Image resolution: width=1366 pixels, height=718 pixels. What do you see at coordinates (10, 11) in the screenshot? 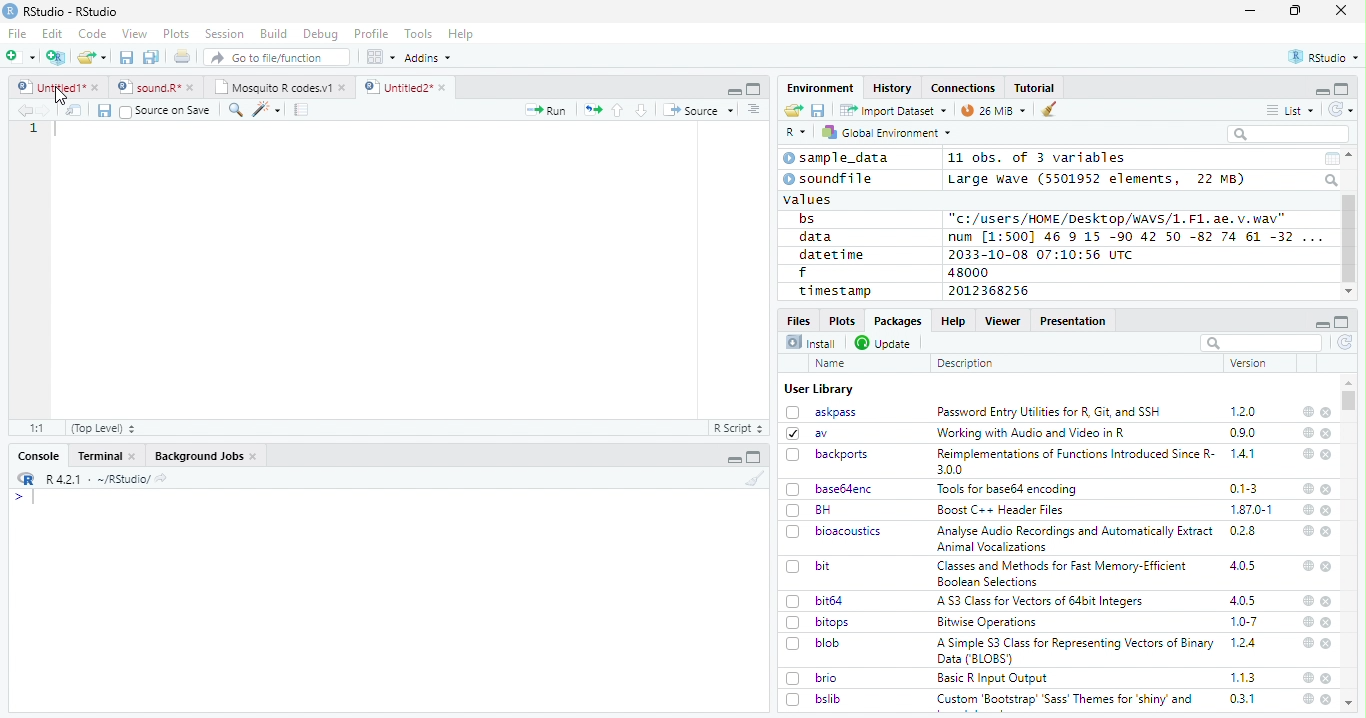
I see `logo` at bounding box center [10, 11].